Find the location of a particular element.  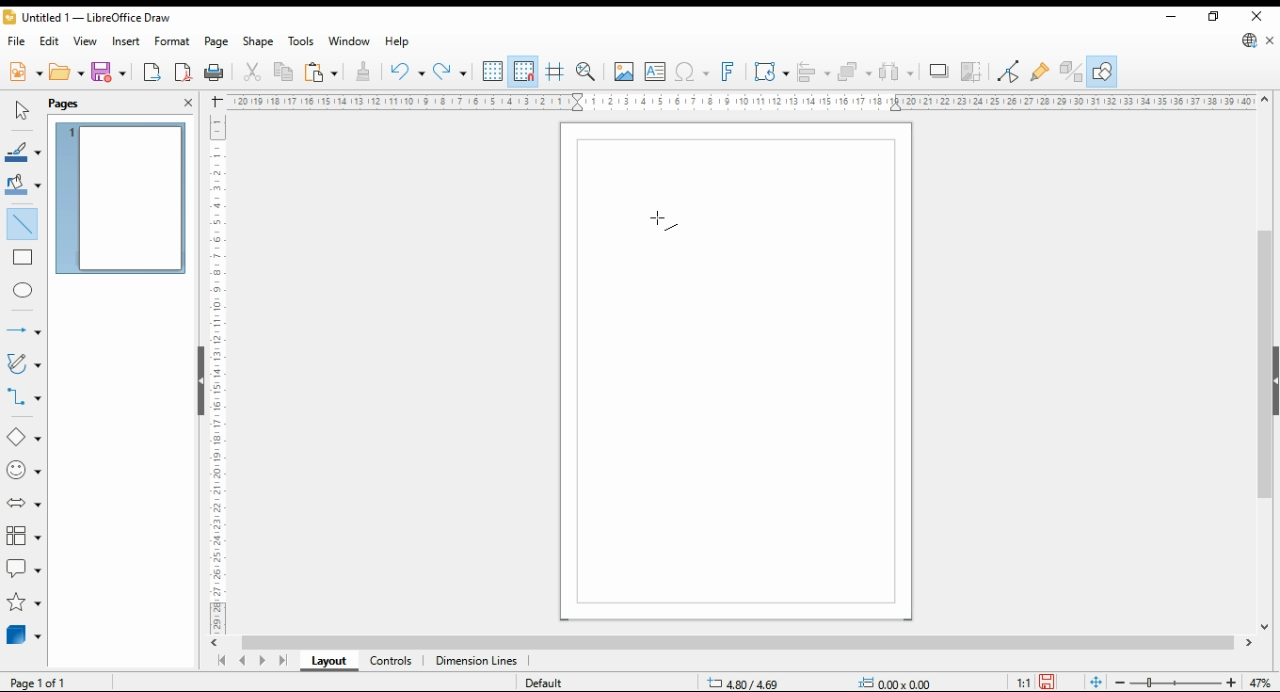

previous page is located at coordinates (242, 662).